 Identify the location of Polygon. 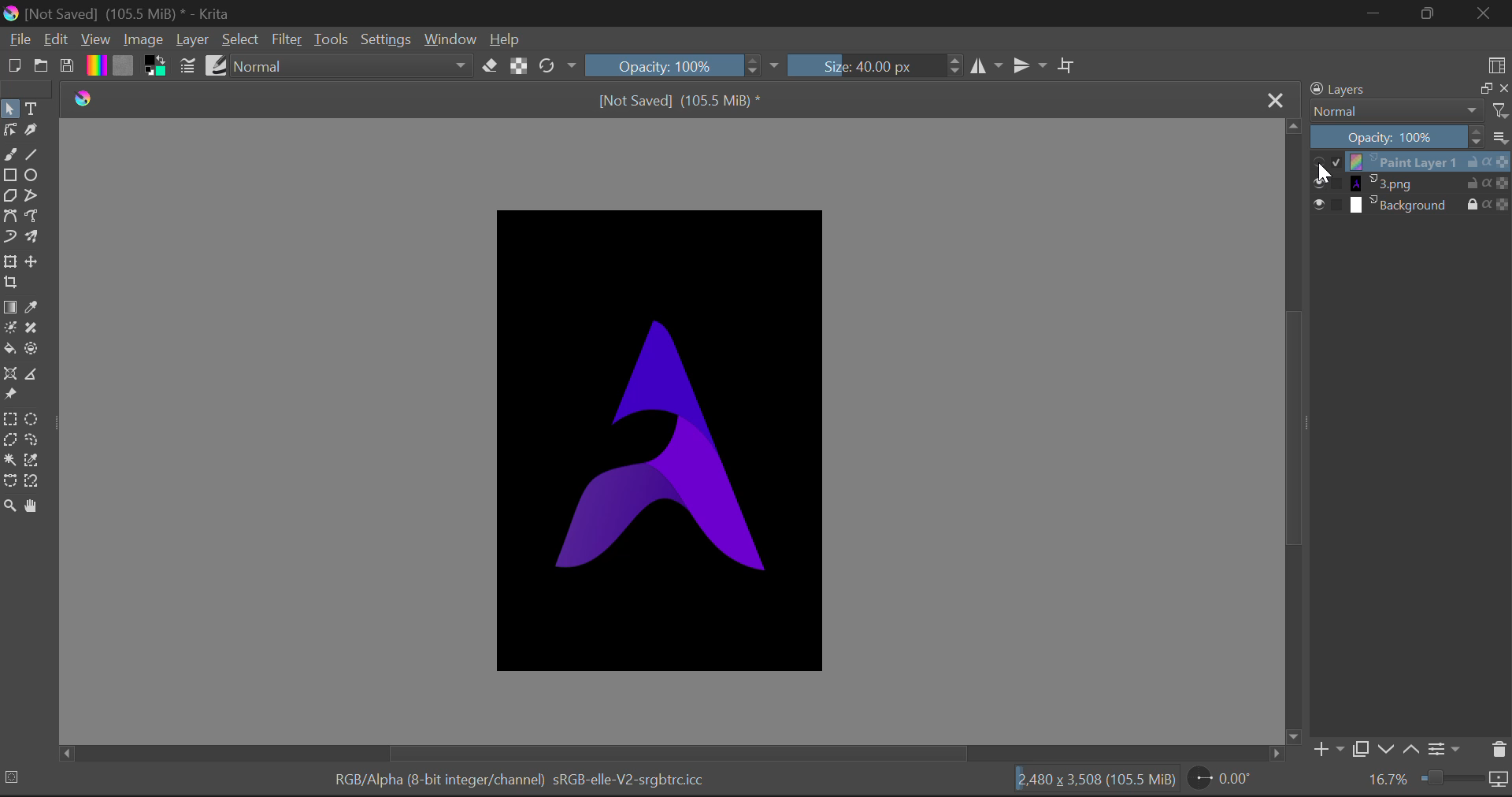
(11, 196).